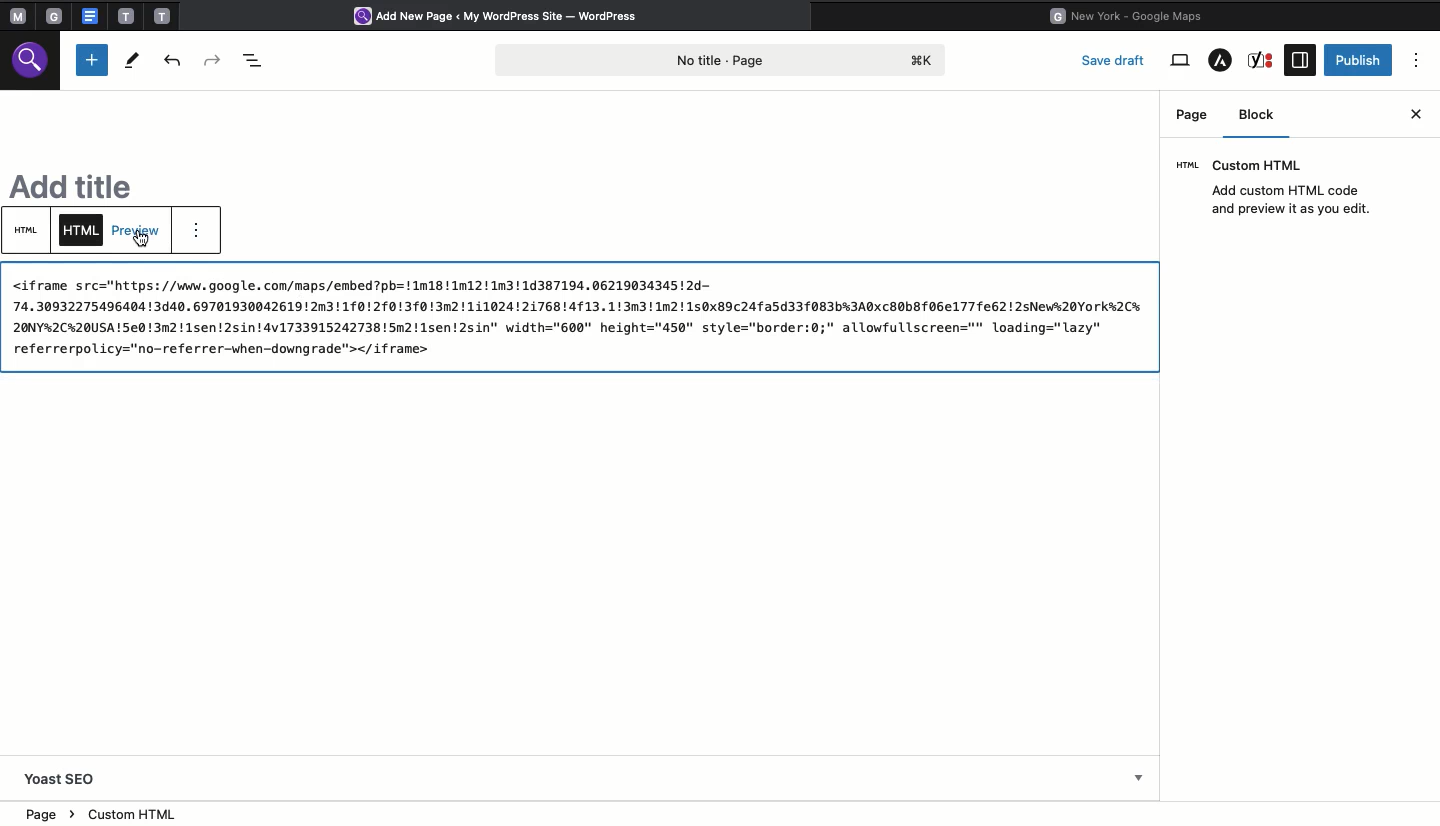 This screenshot has height=826, width=1440. What do you see at coordinates (126, 16) in the screenshot?
I see `tab` at bounding box center [126, 16].